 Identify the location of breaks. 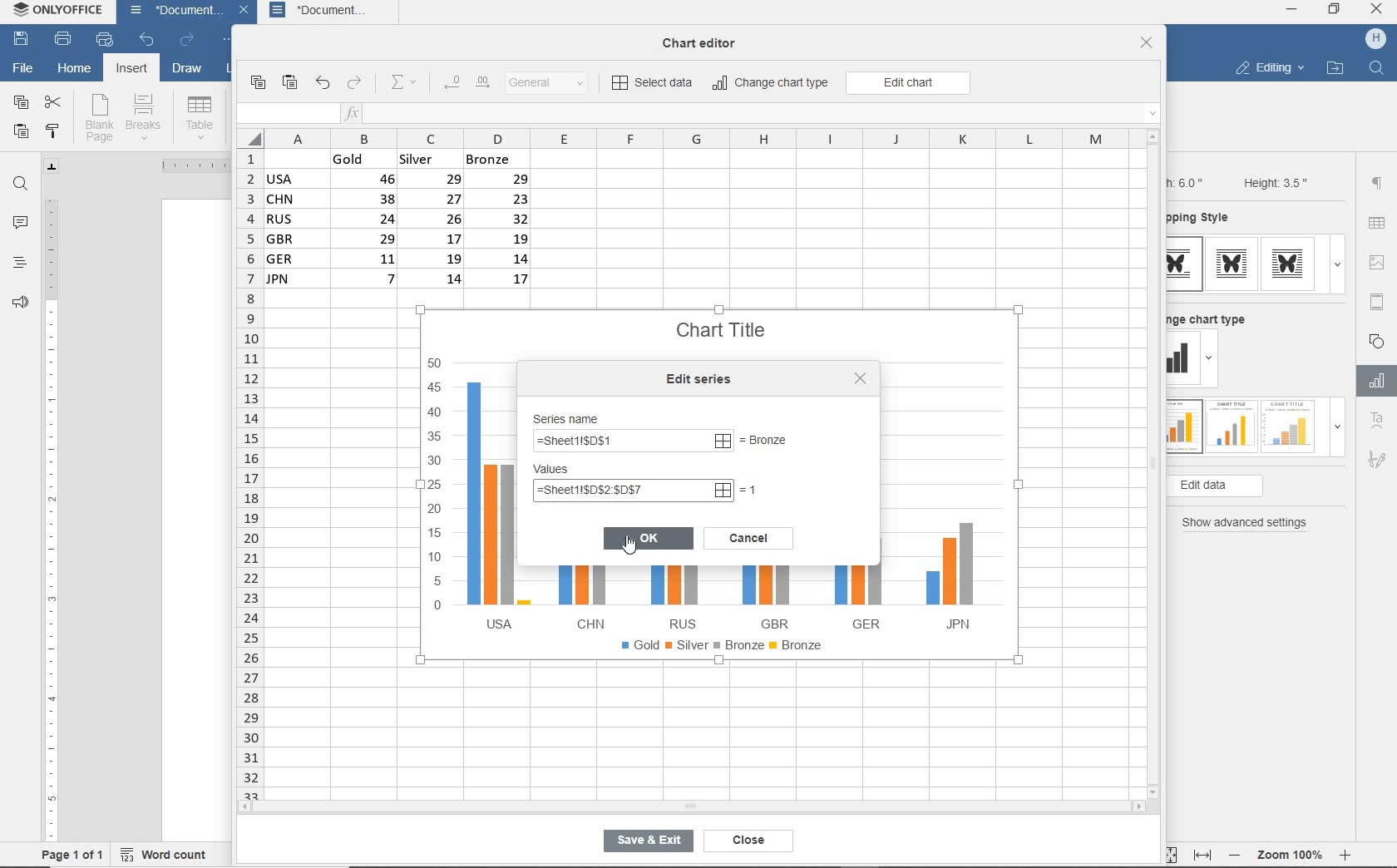
(146, 117).